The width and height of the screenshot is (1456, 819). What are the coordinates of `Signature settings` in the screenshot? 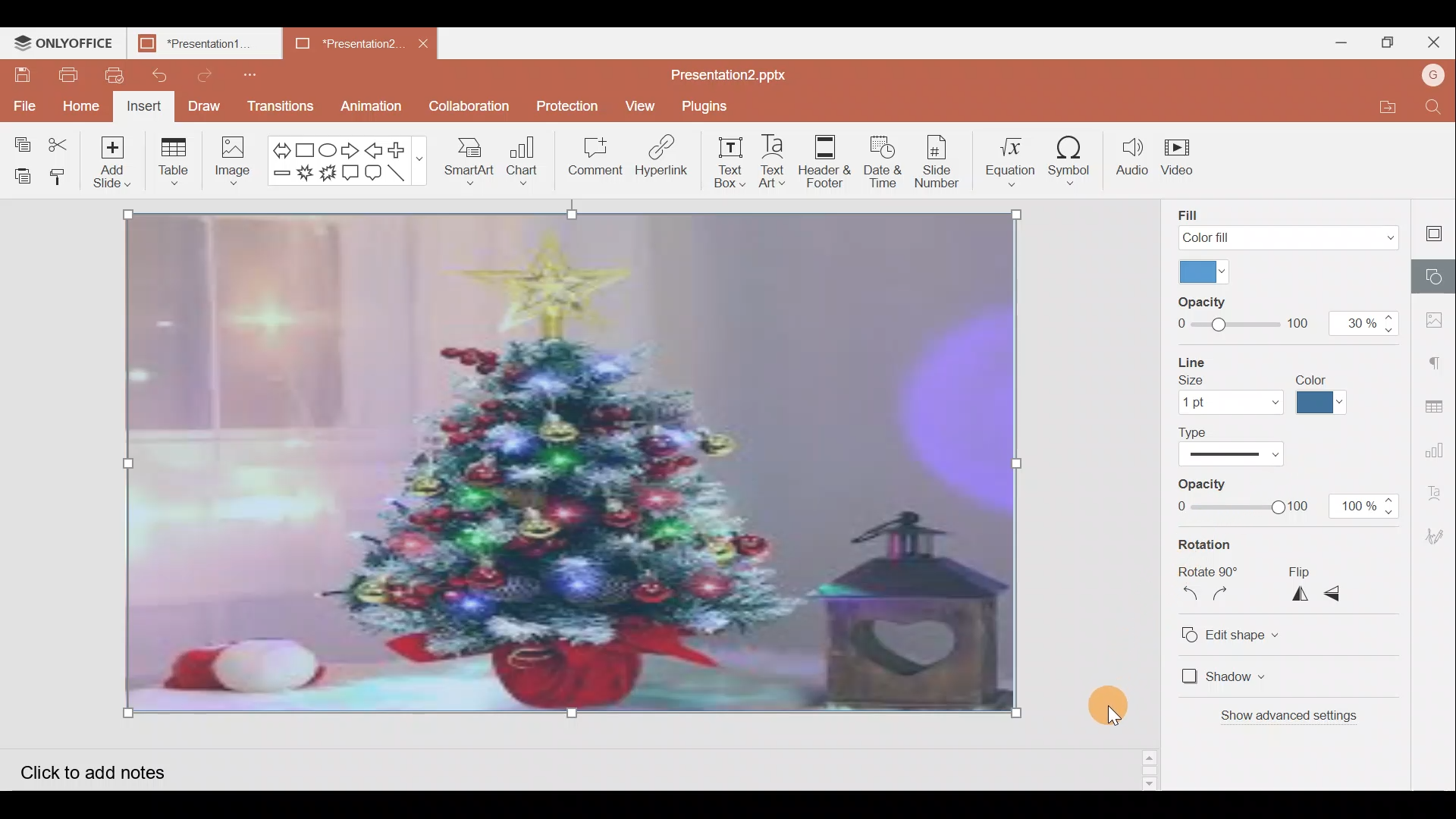 It's located at (1438, 534).